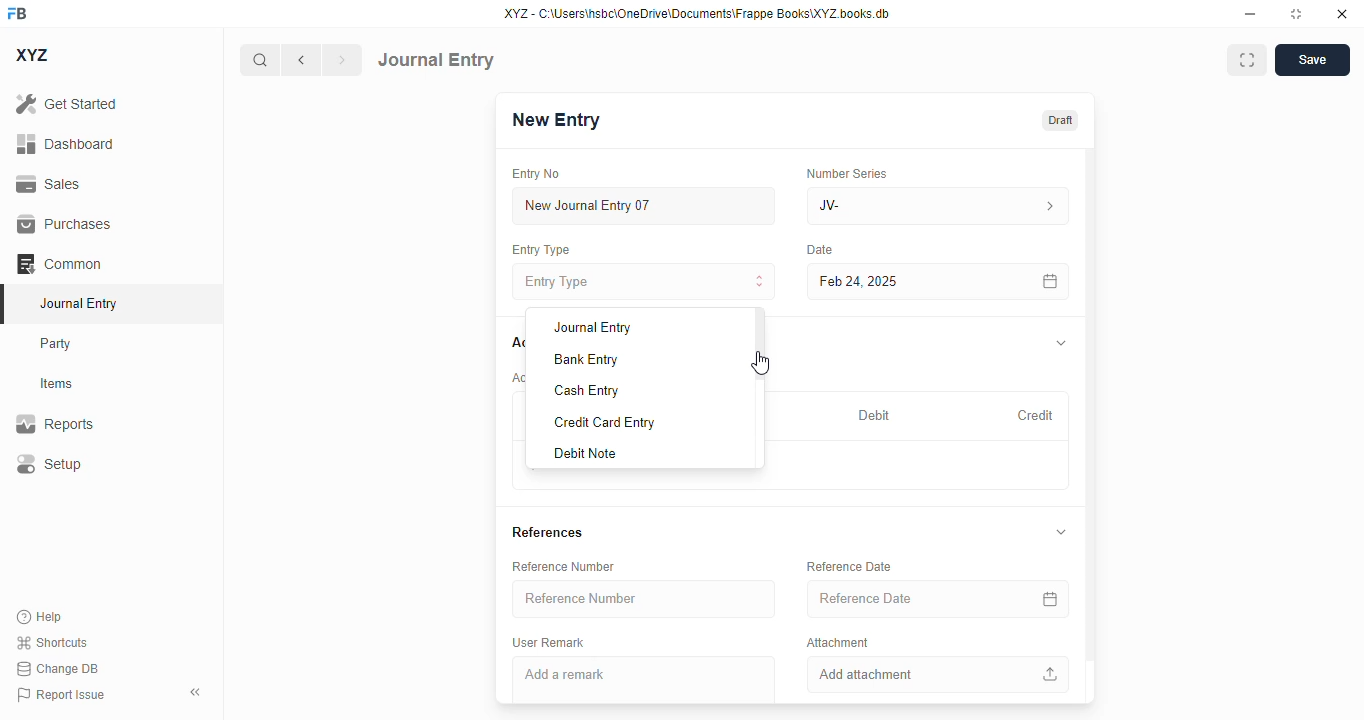 The image size is (1364, 720). I want to click on minimize, so click(1251, 14).